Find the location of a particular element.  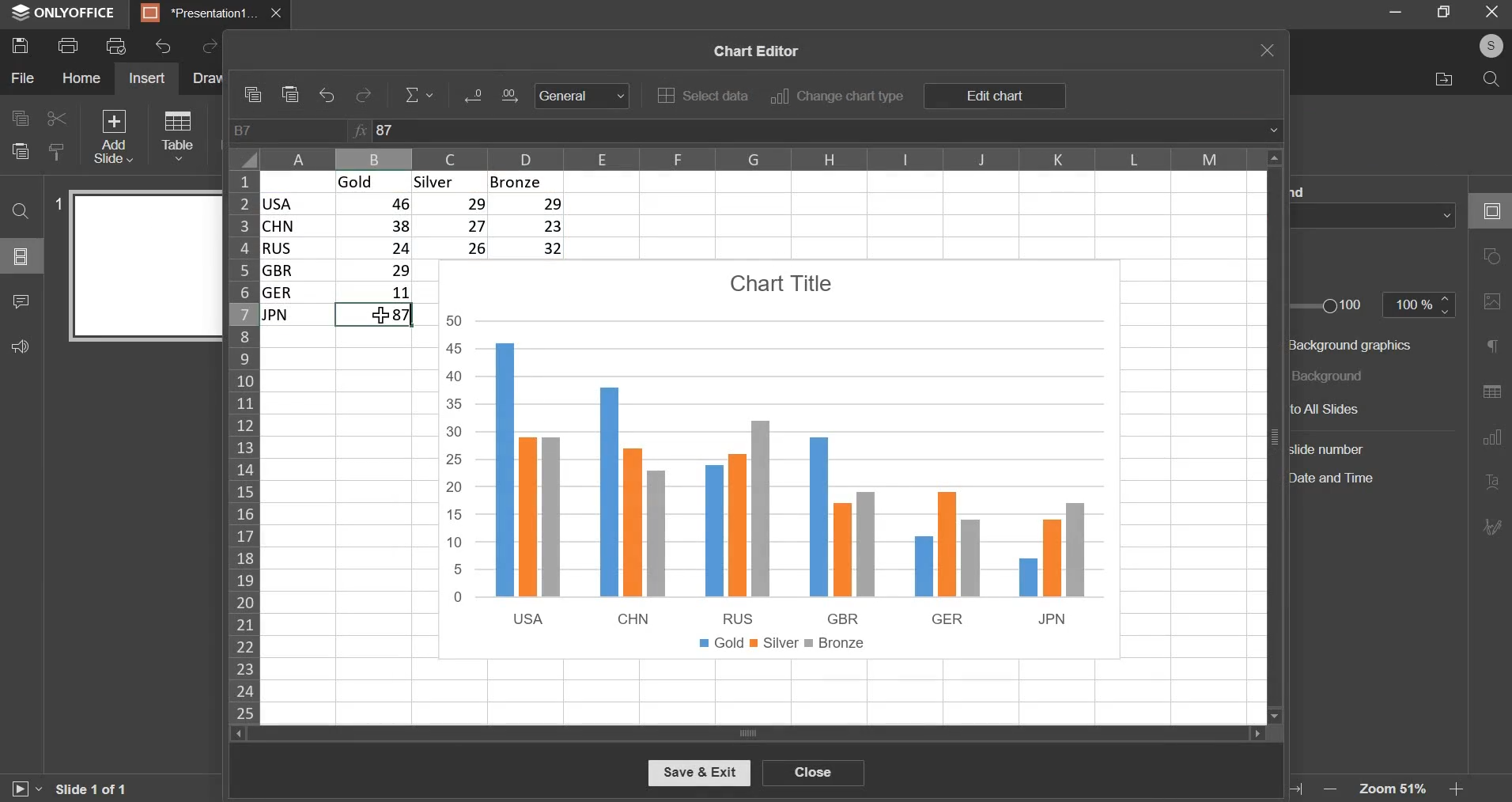

search is located at coordinates (1492, 79).